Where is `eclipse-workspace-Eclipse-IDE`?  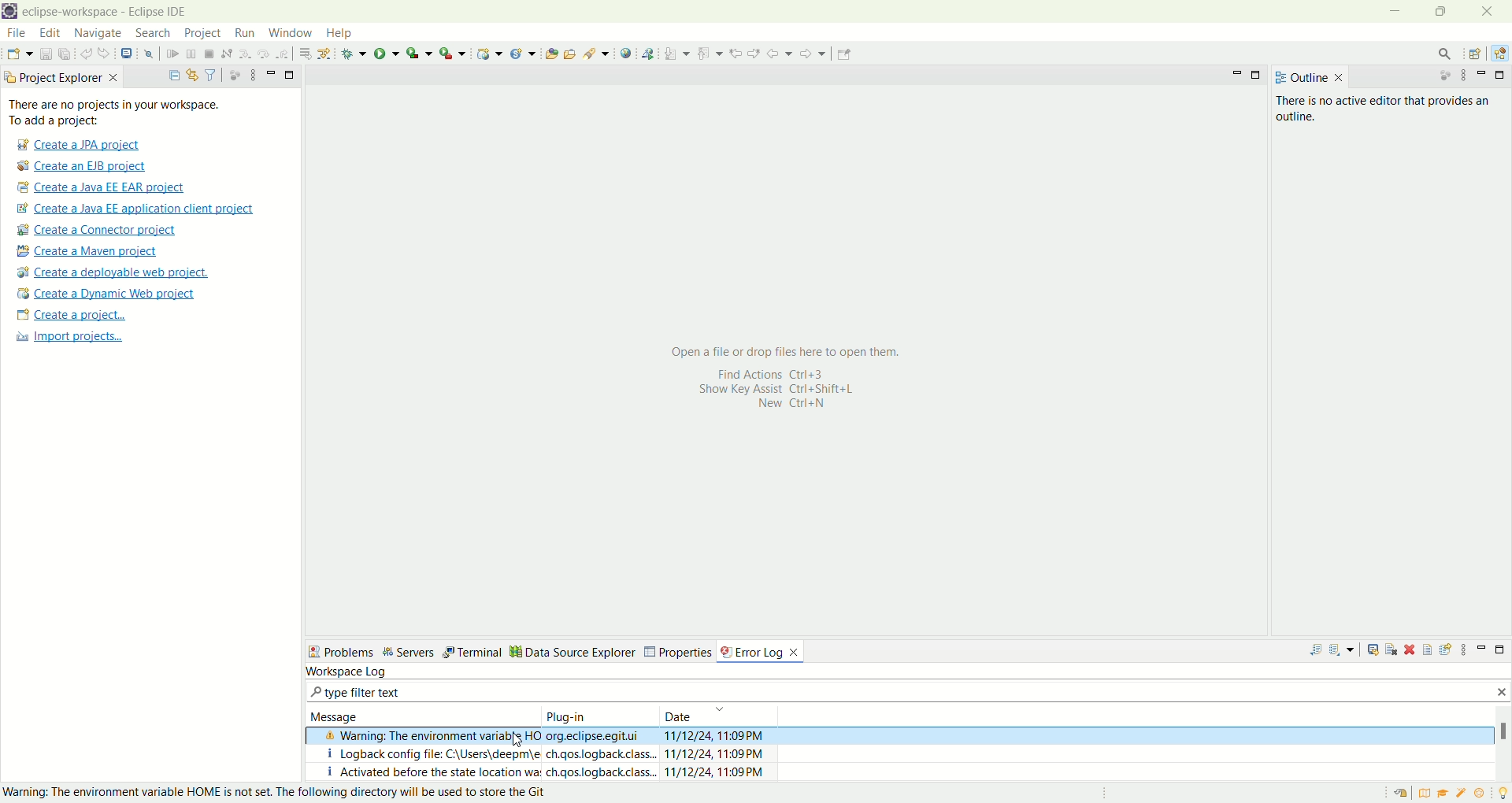 eclipse-workspace-Eclipse-IDE is located at coordinates (112, 13).